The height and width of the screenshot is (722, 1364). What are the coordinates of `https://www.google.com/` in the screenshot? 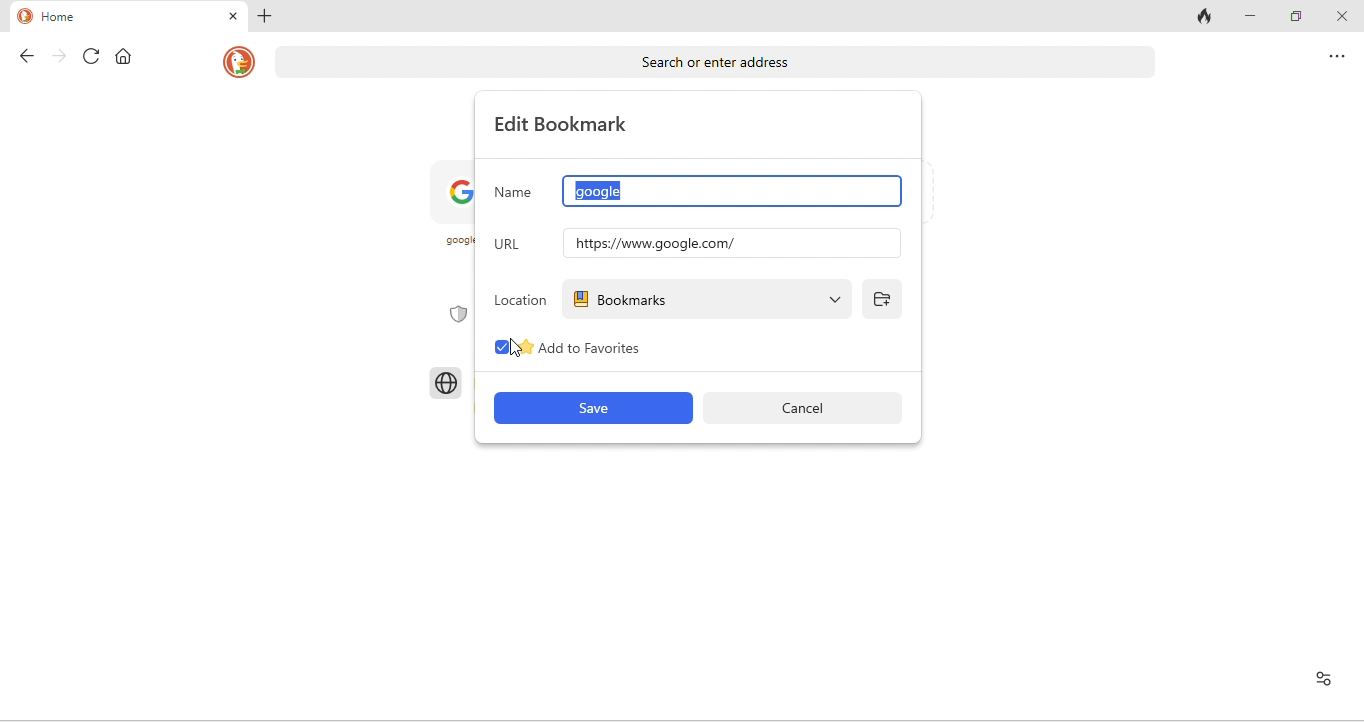 It's located at (728, 243).